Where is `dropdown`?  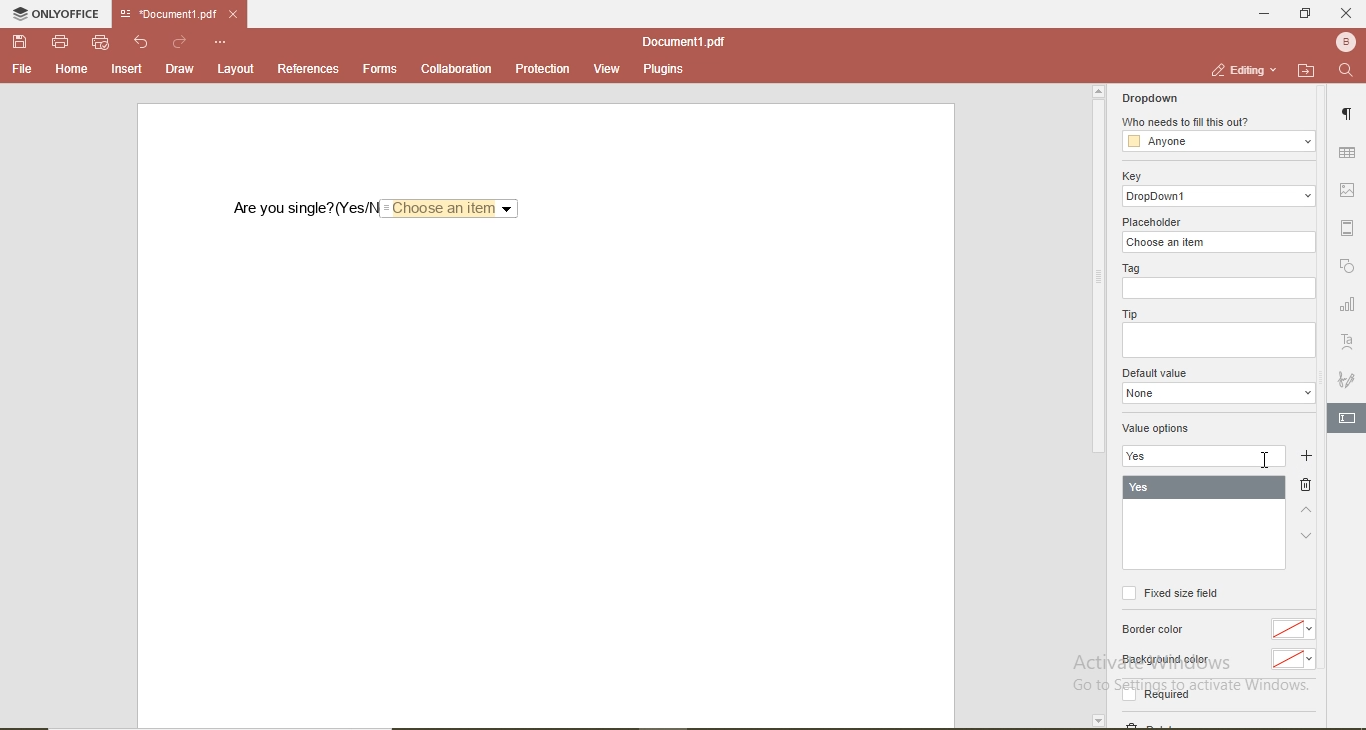
dropdown is located at coordinates (1217, 393).